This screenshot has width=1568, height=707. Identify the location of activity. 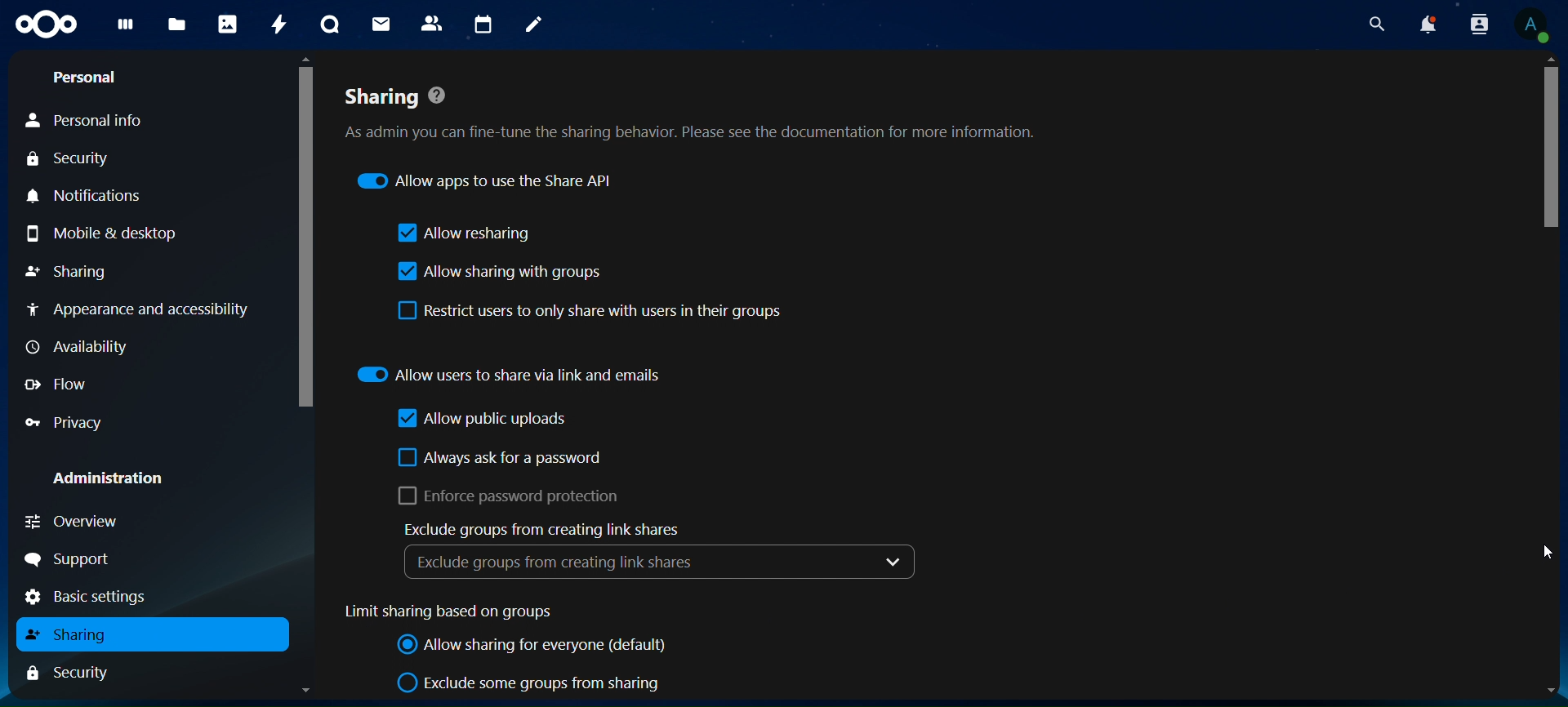
(274, 23).